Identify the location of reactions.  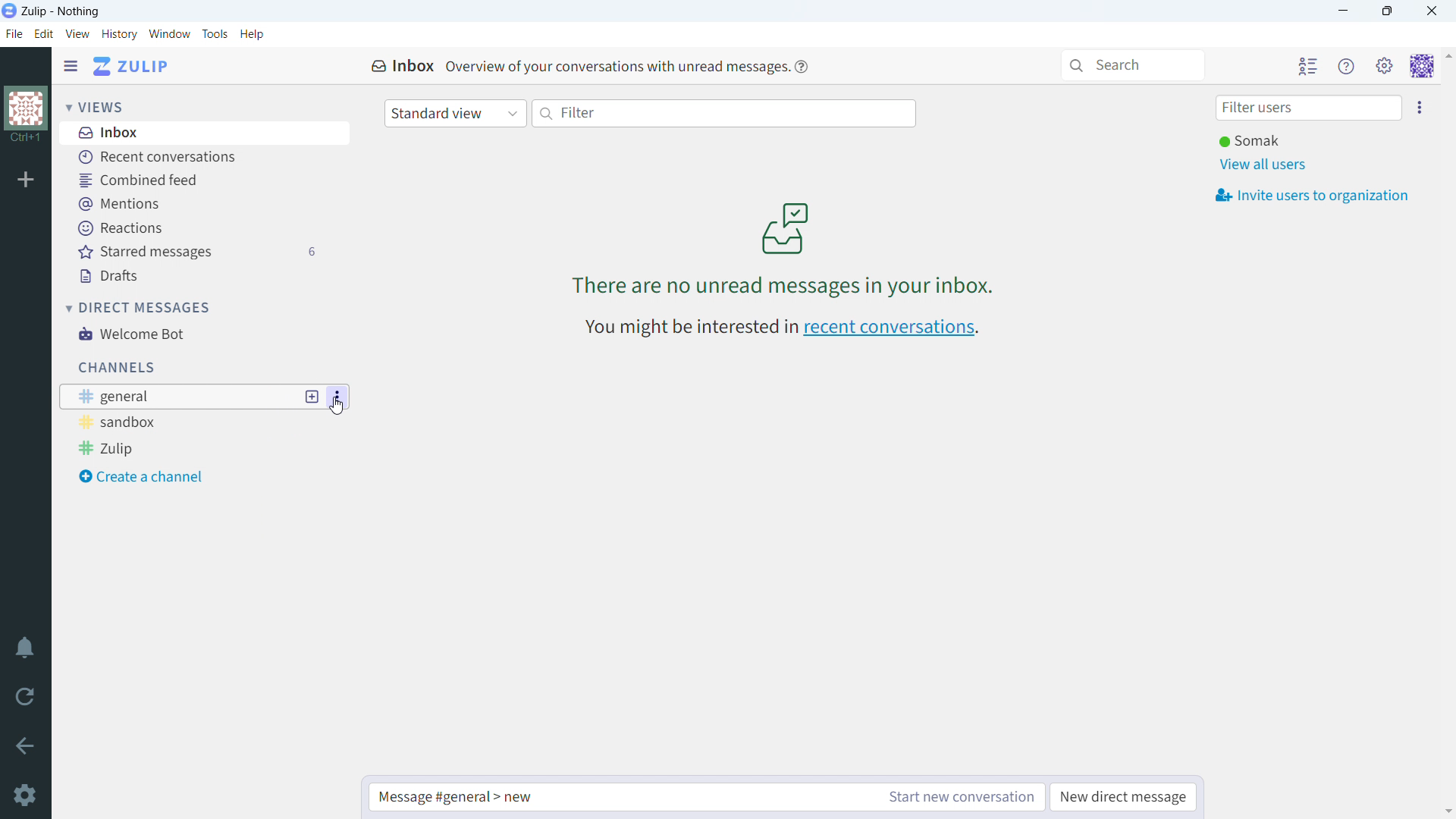
(198, 227).